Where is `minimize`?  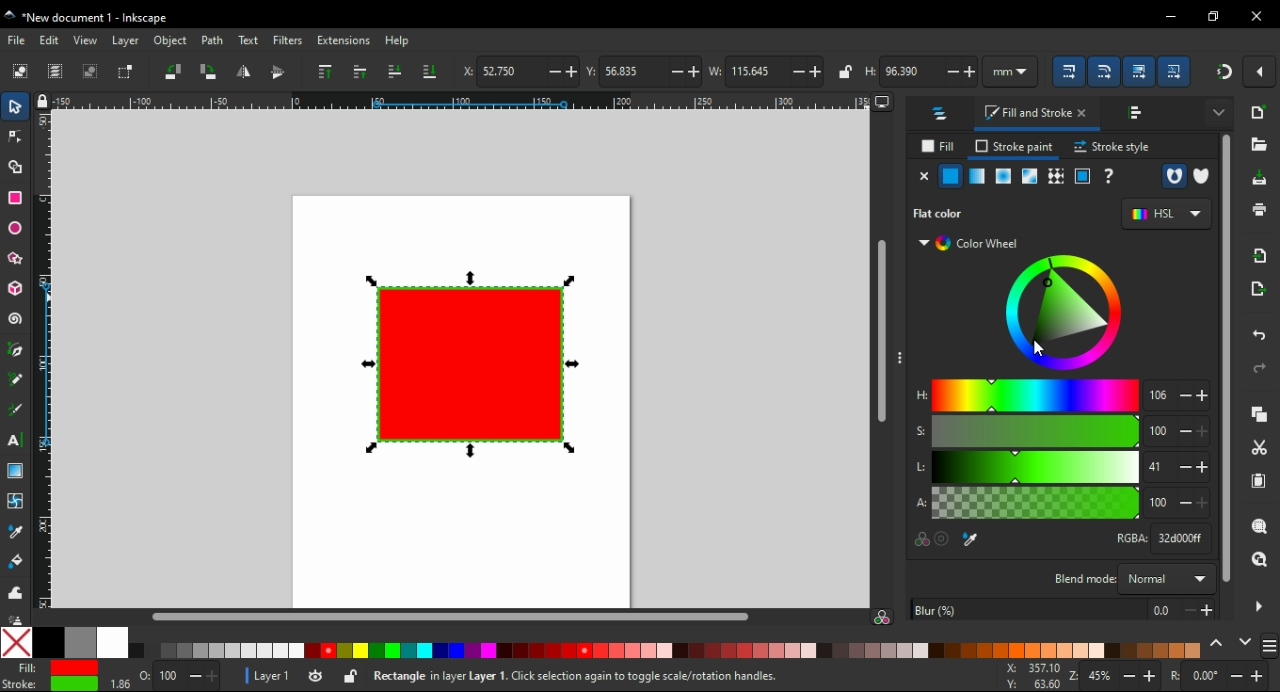
minimize is located at coordinates (1170, 18).